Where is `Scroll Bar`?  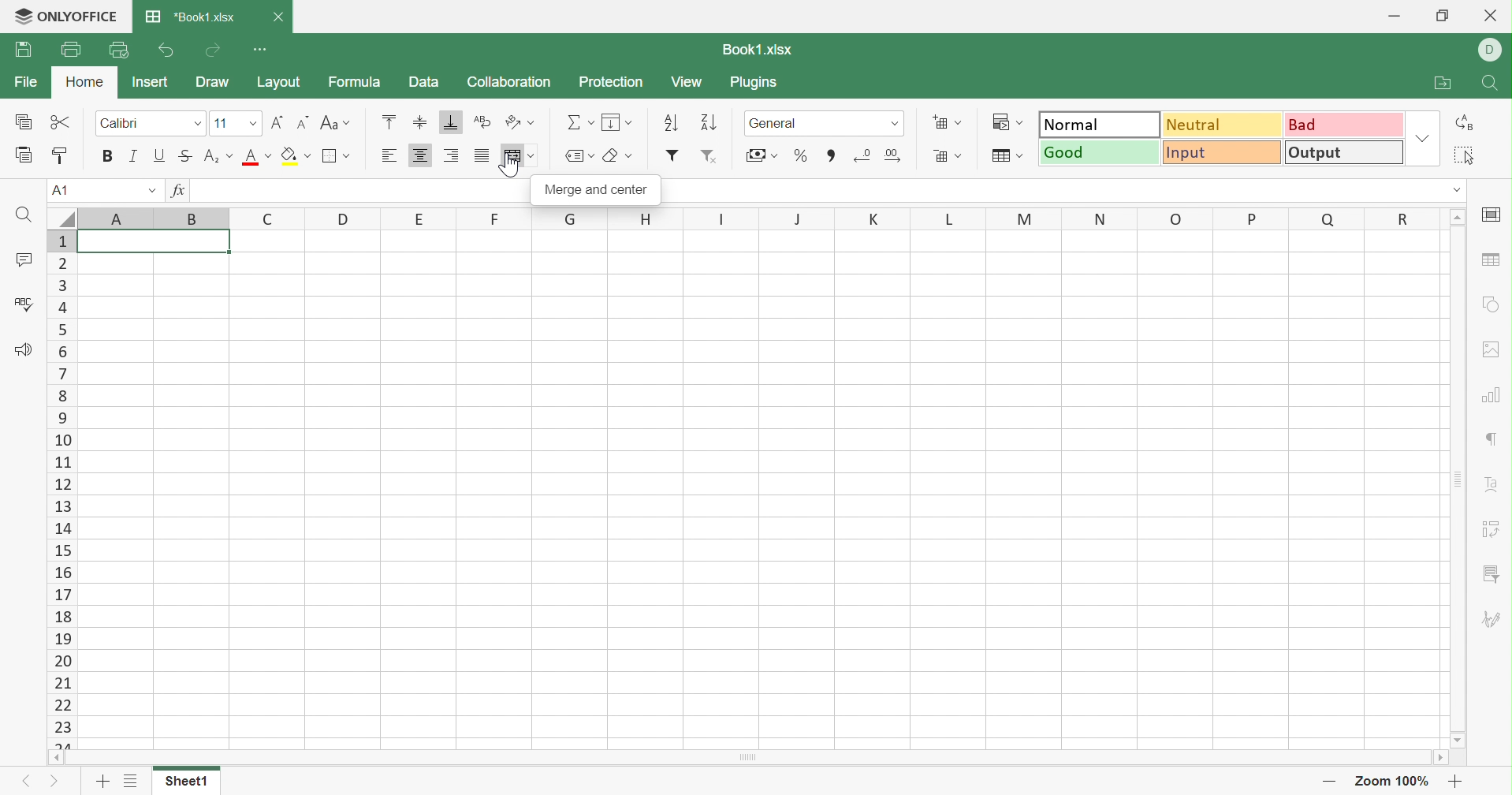 Scroll Bar is located at coordinates (1458, 479).